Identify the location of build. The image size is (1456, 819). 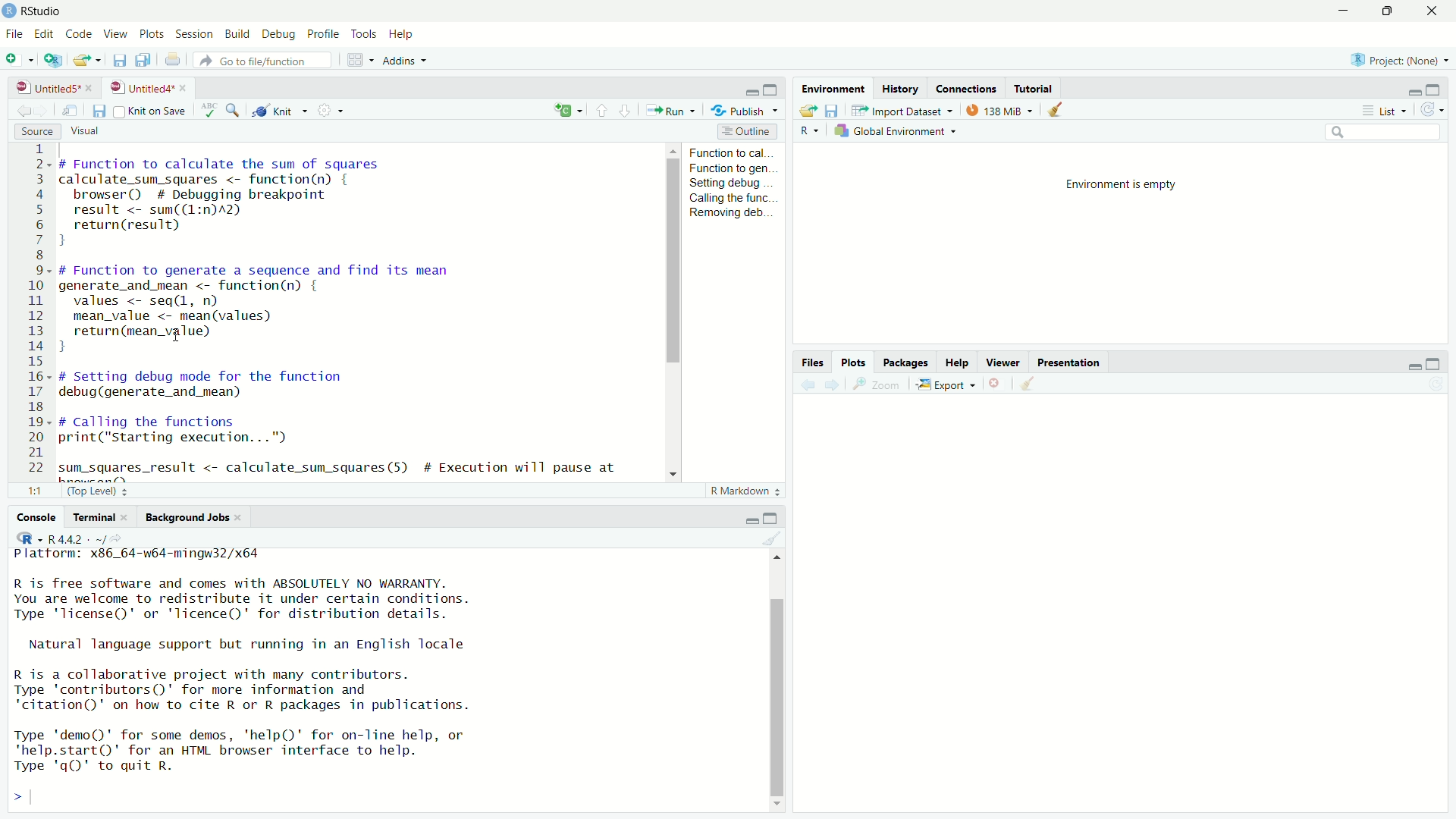
(238, 33).